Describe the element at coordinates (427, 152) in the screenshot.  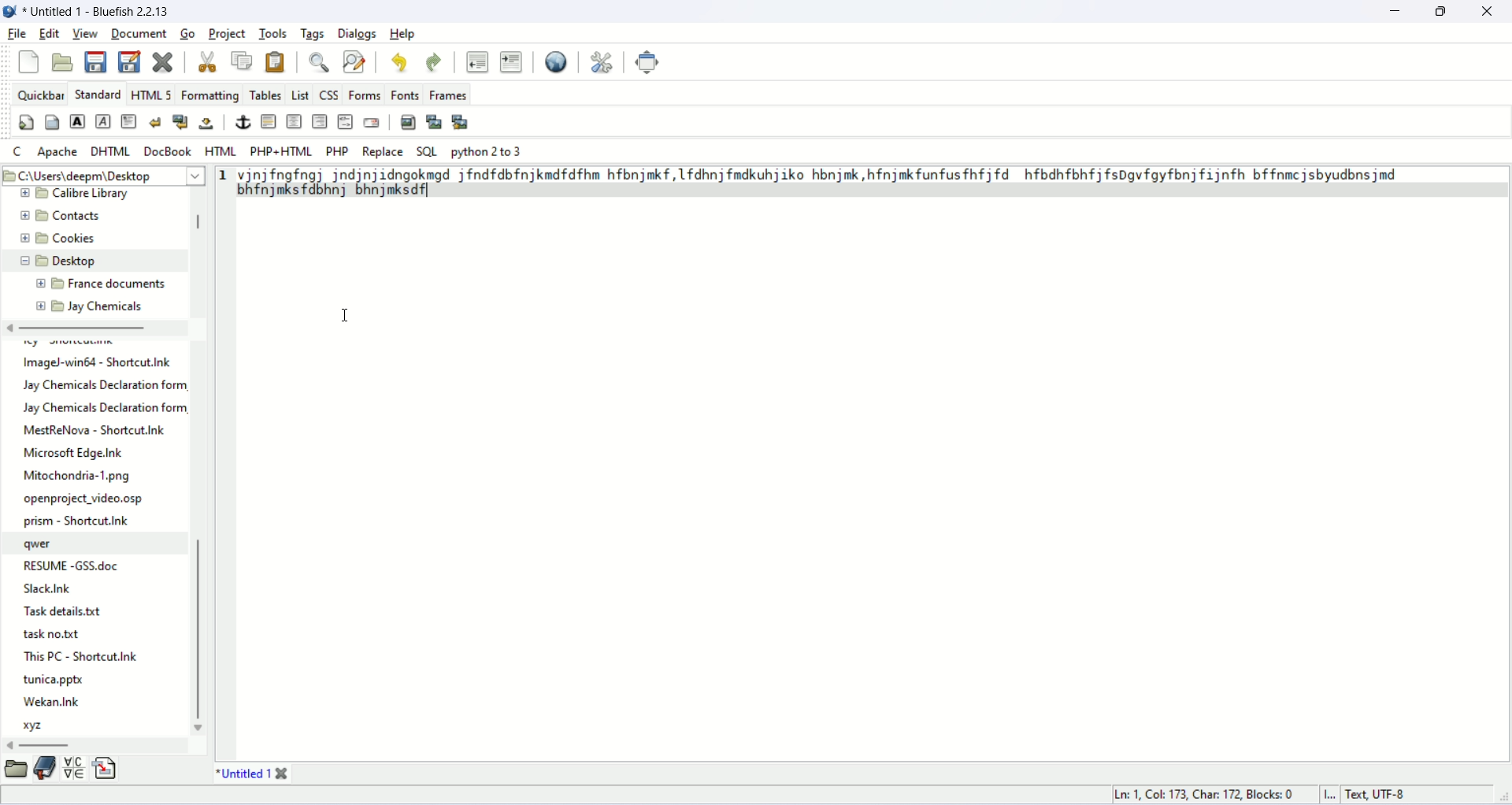
I see `SQL` at that location.